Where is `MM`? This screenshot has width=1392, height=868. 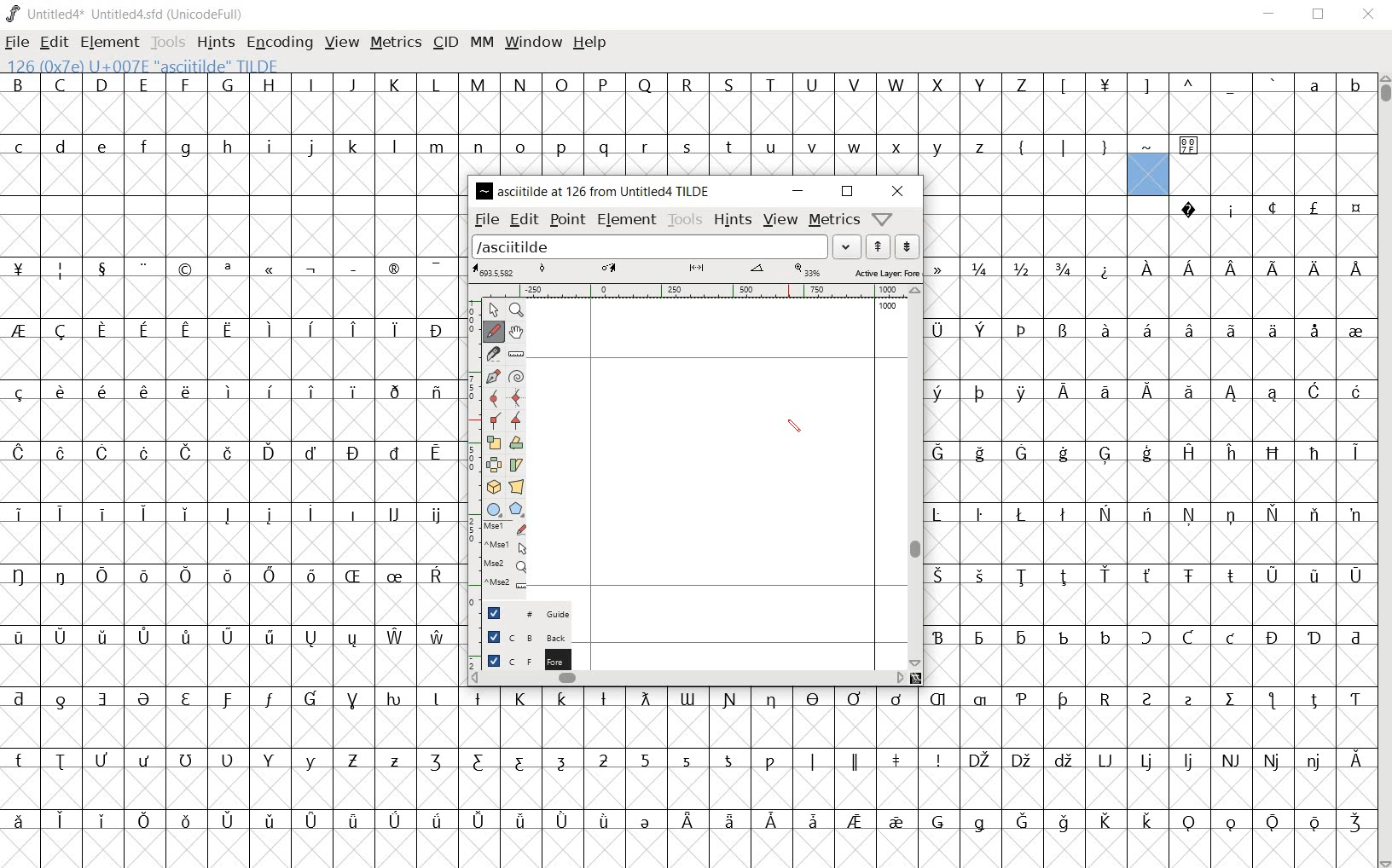
MM is located at coordinates (481, 45).